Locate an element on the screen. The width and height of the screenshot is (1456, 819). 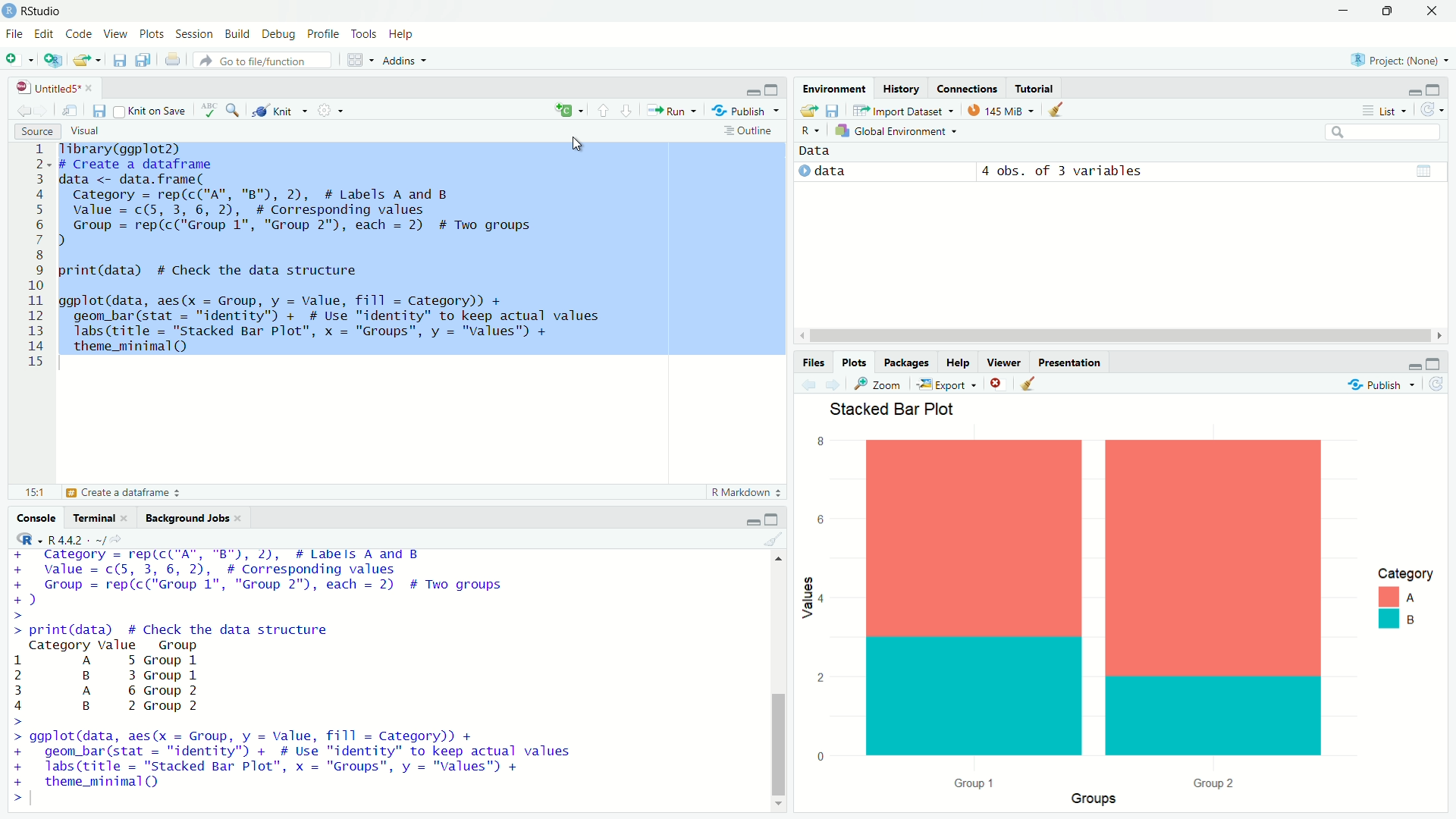
Visual is located at coordinates (99, 131).